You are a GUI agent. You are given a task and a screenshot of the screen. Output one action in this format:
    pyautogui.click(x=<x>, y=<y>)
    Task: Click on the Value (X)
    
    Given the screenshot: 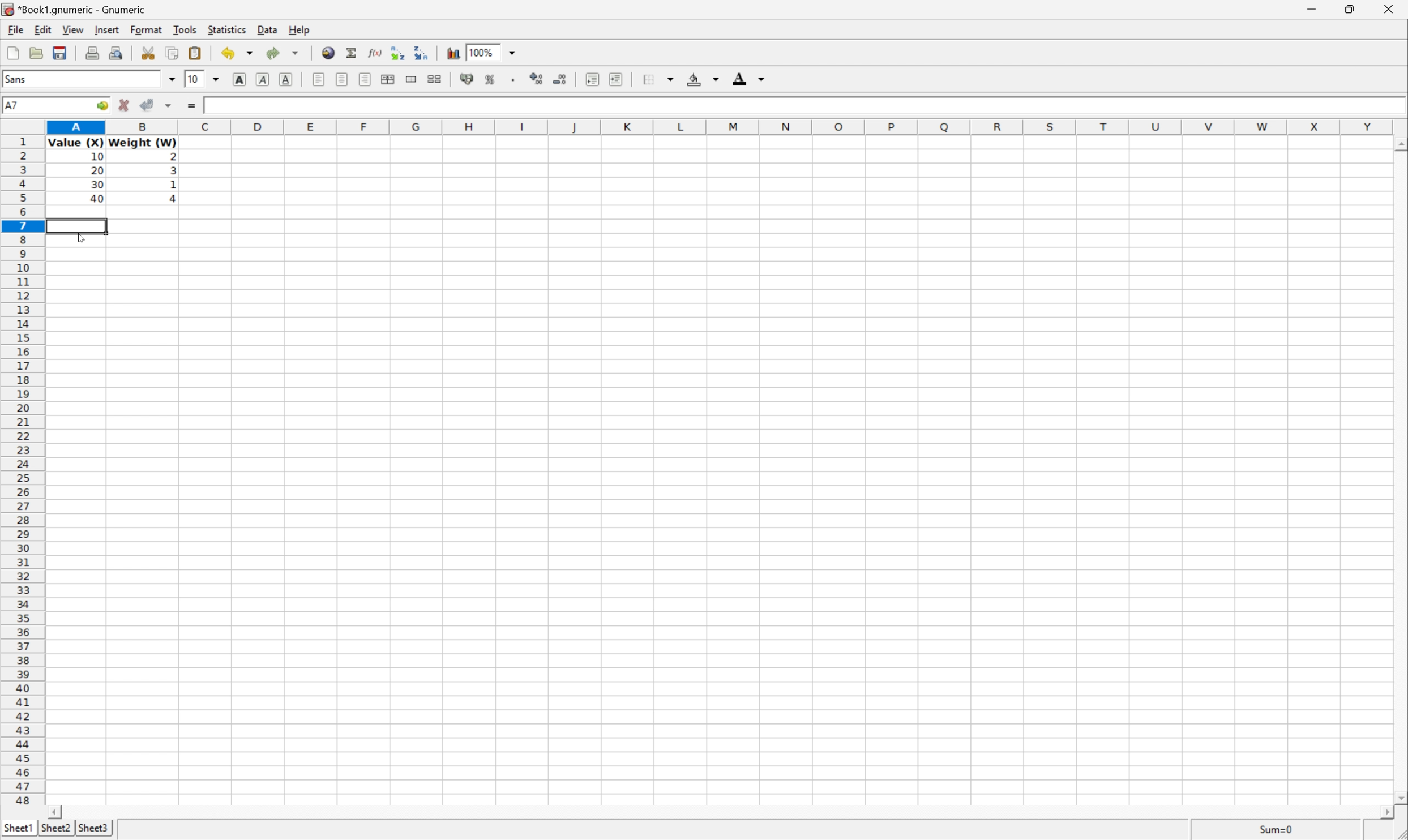 What is the action you would take?
    pyautogui.click(x=75, y=142)
    